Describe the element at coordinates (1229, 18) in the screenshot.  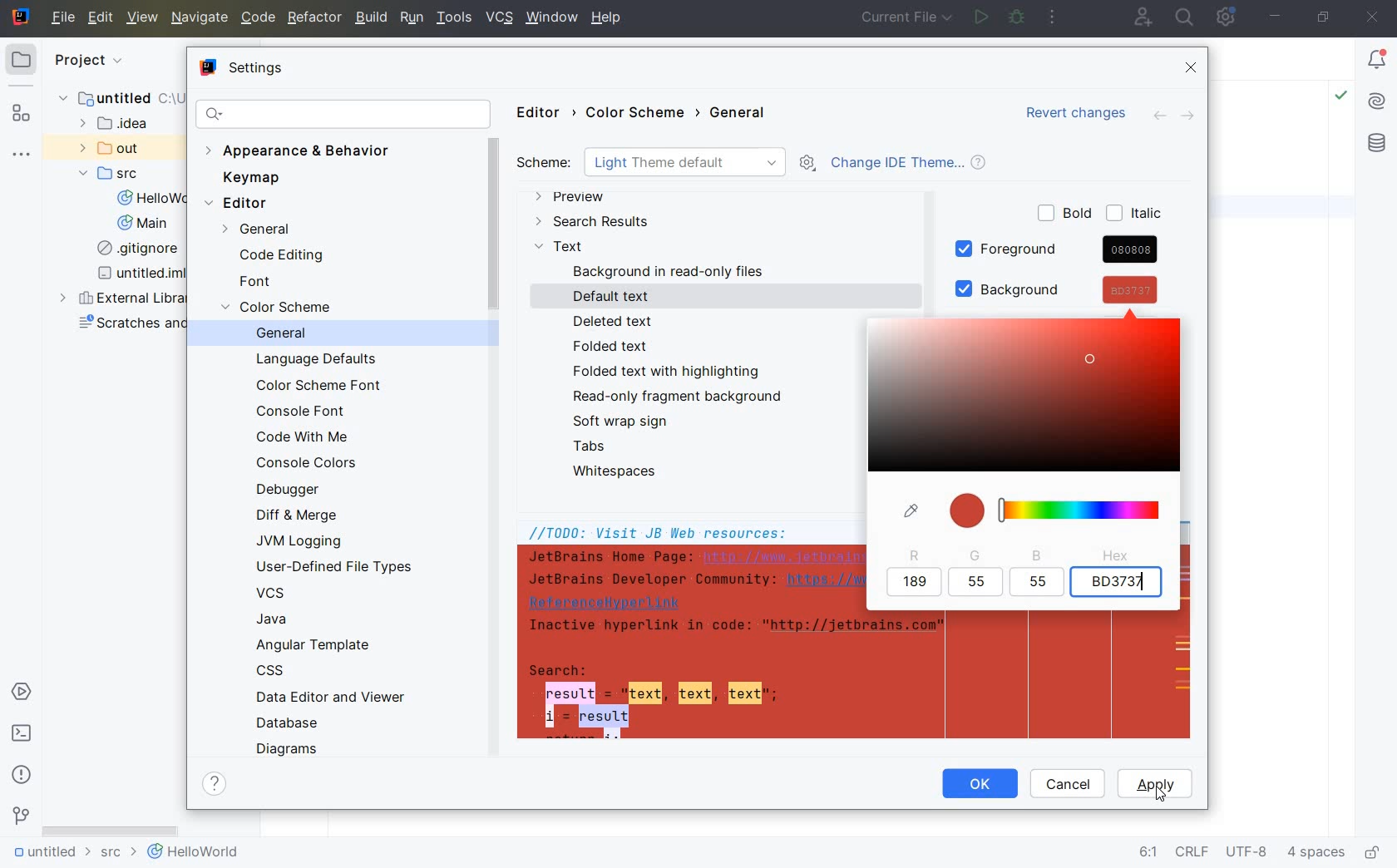
I see `IDE and Project Settings` at that location.